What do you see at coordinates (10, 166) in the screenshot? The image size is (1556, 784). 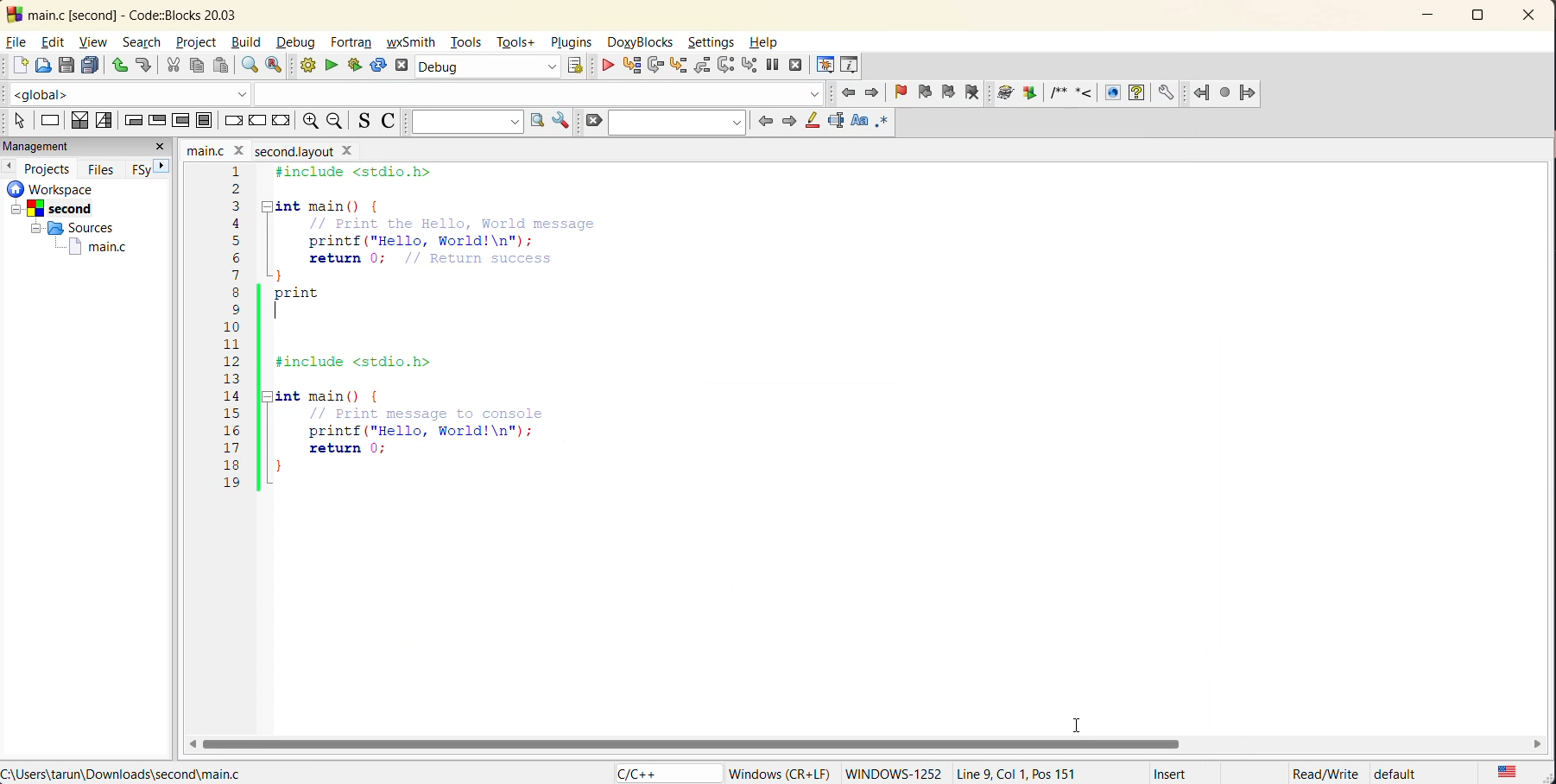 I see `previous` at bounding box center [10, 166].